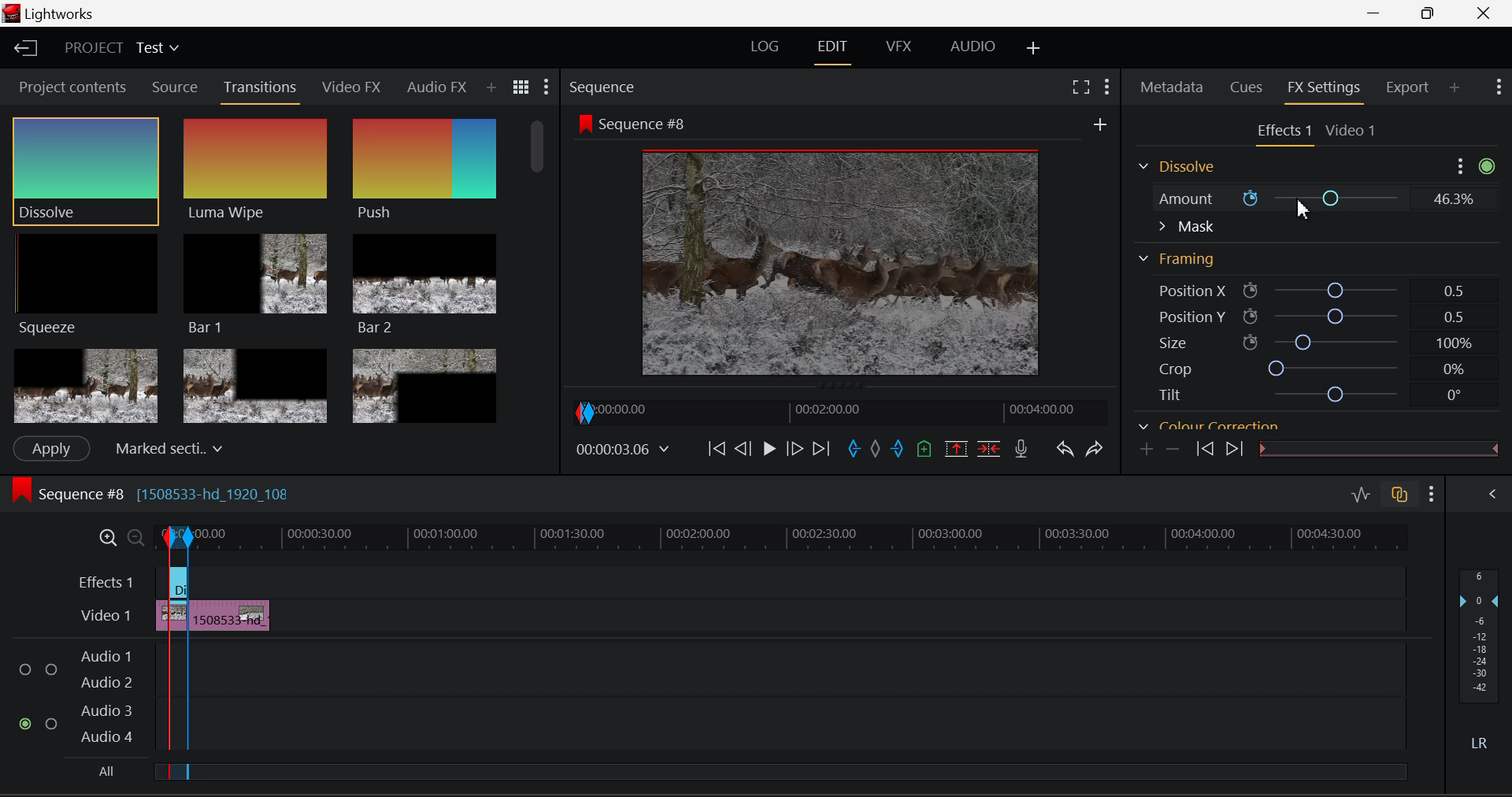 The height and width of the screenshot is (797, 1512). Describe the element at coordinates (1327, 89) in the screenshot. I see `FX Settings Open` at that location.